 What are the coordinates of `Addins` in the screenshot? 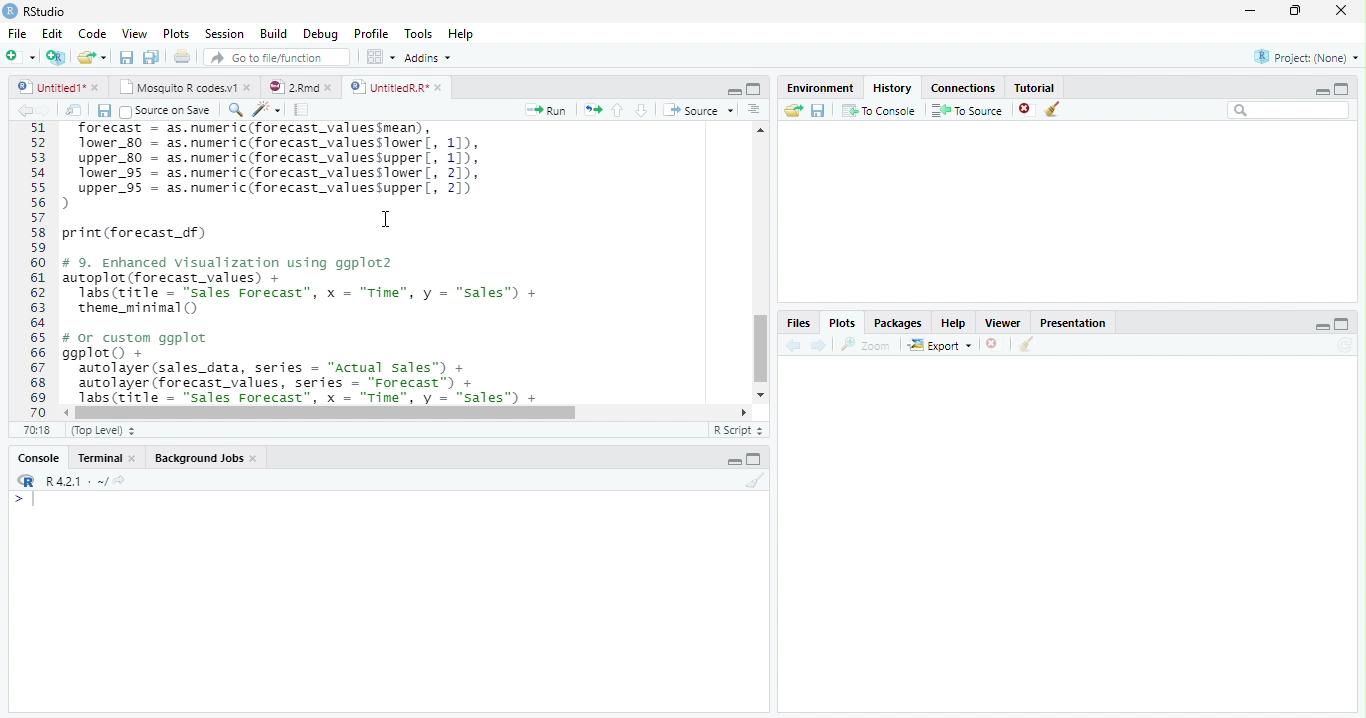 It's located at (430, 57).